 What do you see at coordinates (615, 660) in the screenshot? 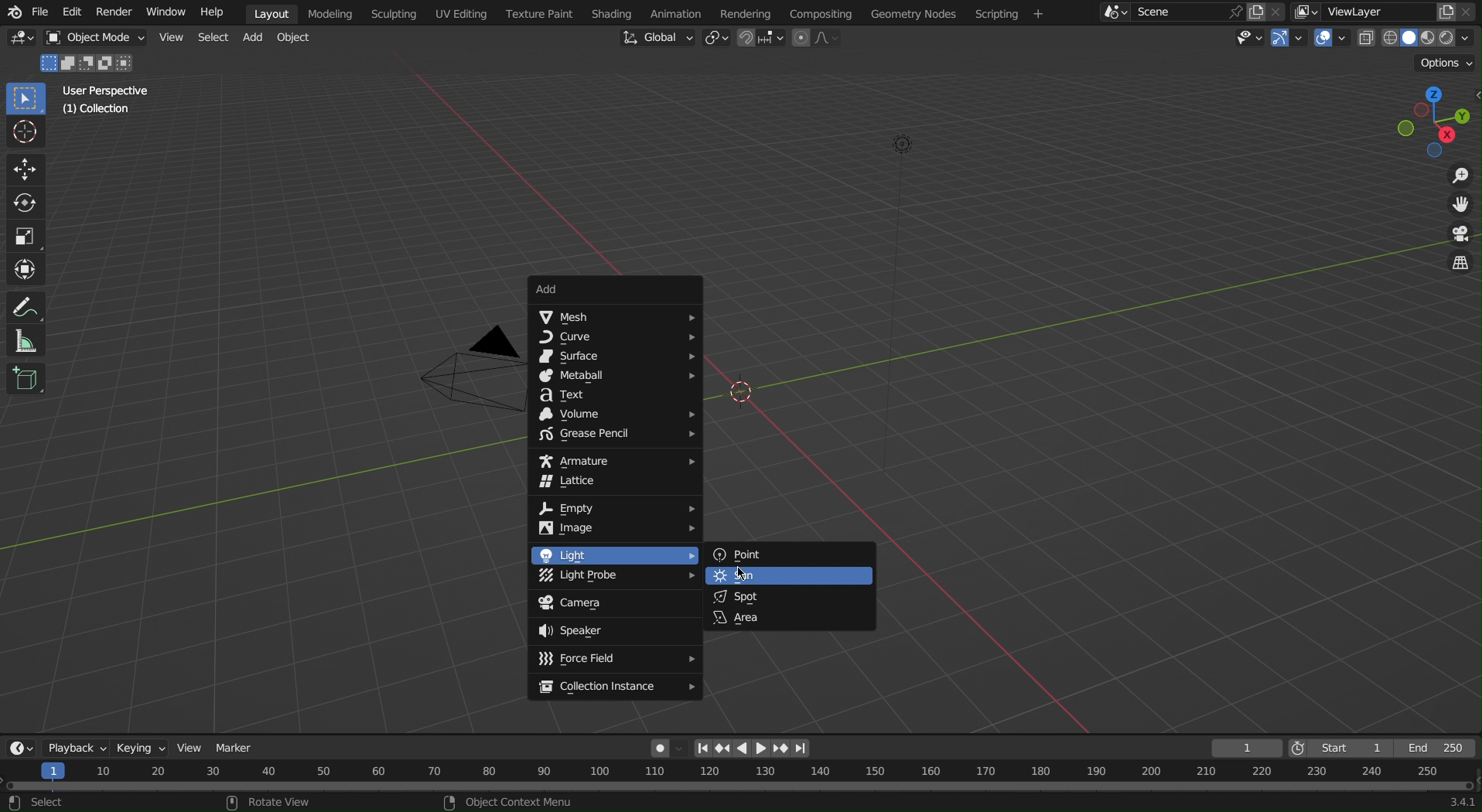
I see `Force Field` at bounding box center [615, 660].